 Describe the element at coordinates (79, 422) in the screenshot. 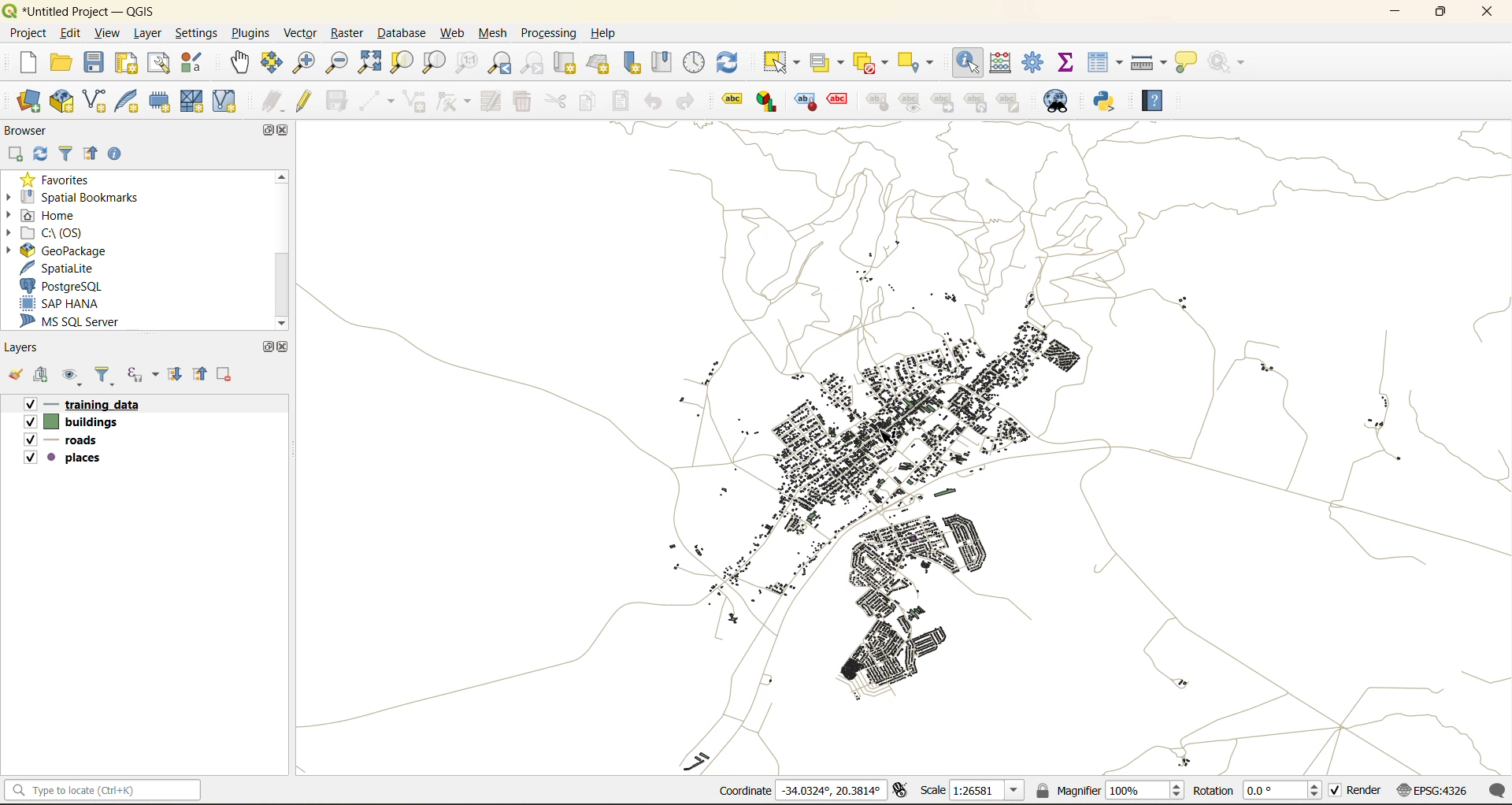

I see `buildings` at that location.